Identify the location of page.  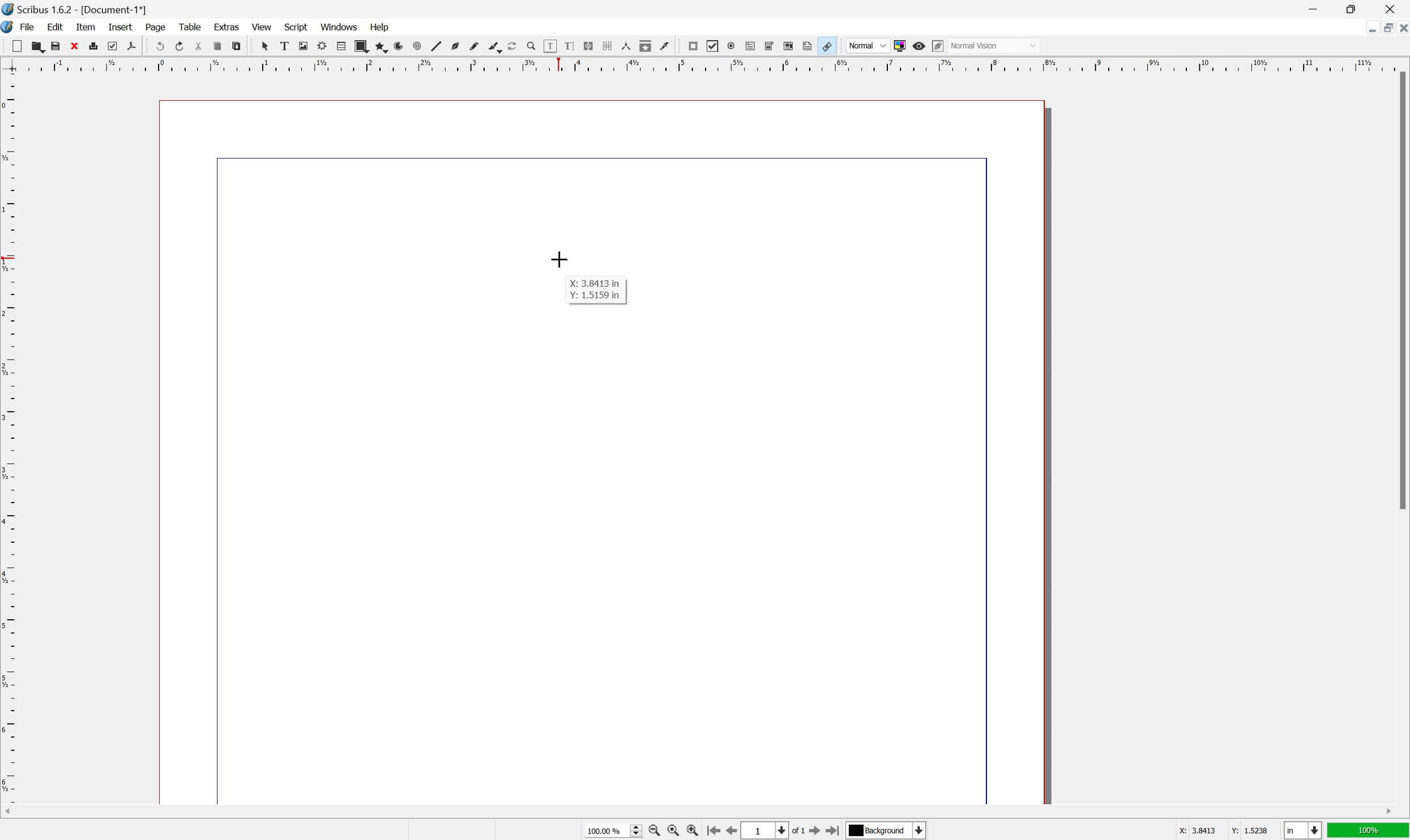
(155, 27).